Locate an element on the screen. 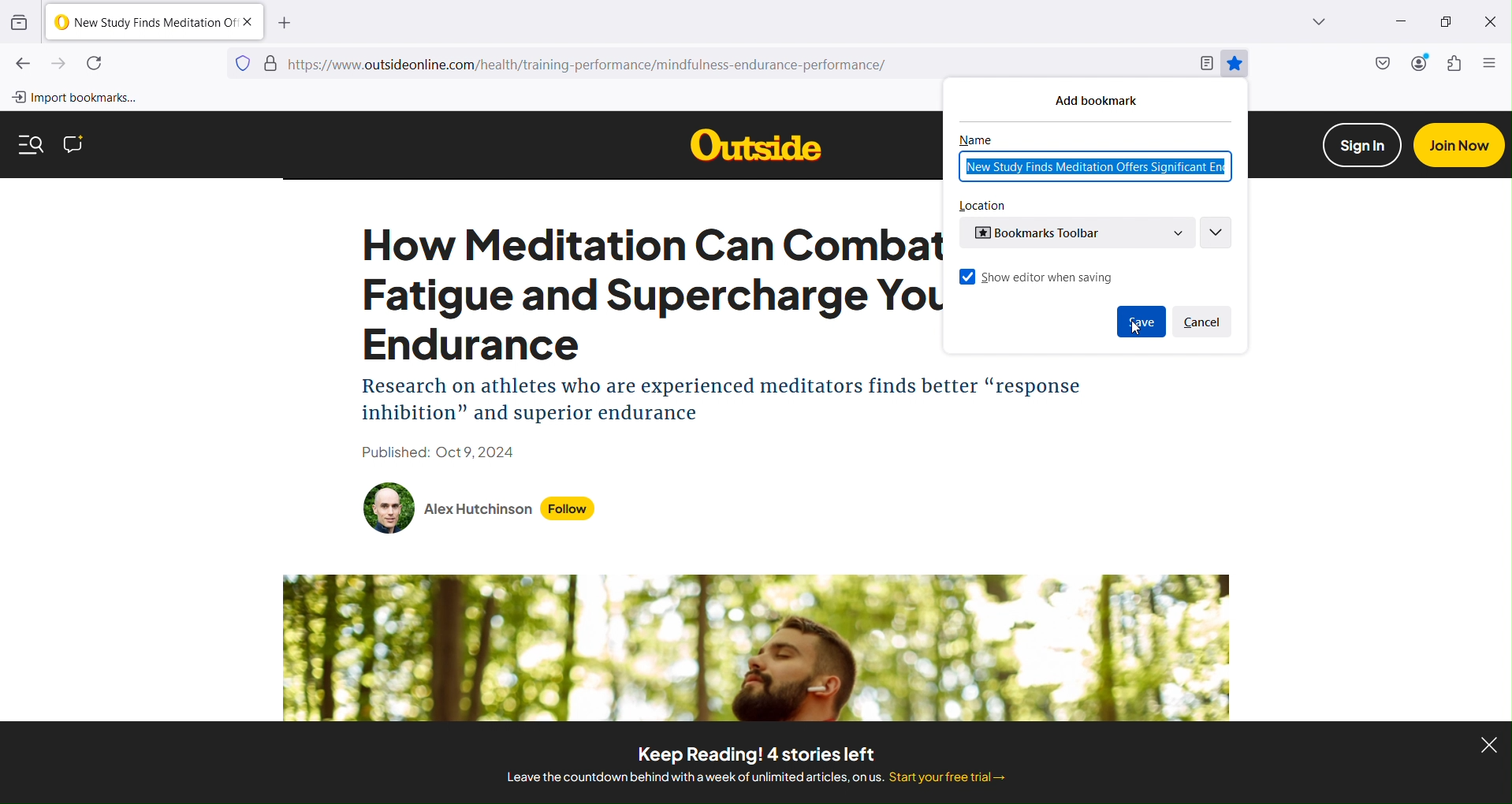 The image size is (1512, 804). Join now button is located at coordinates (1458, 145).